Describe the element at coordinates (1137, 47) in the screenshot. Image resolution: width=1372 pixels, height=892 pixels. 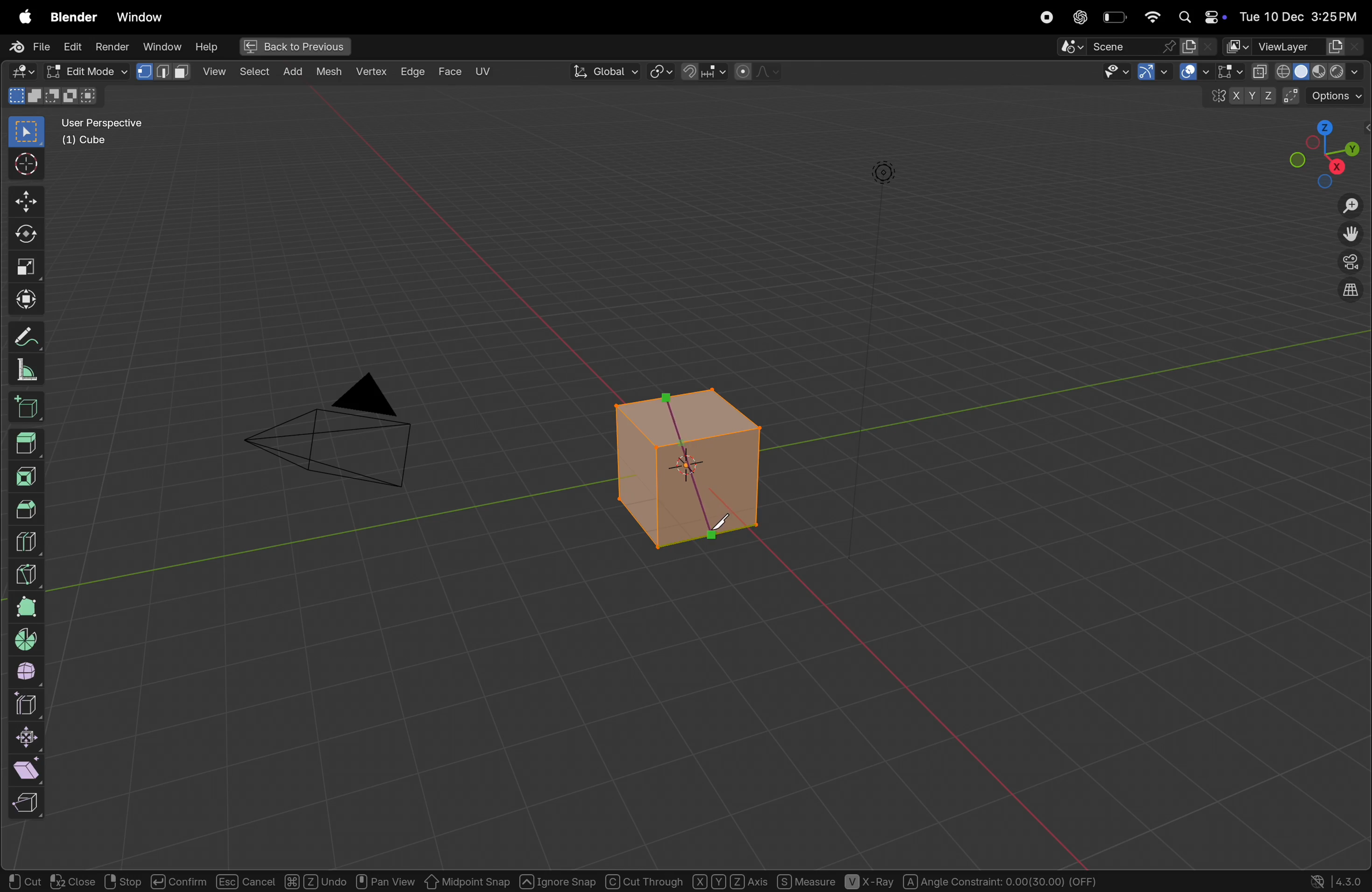
I see `Scene` at that location.